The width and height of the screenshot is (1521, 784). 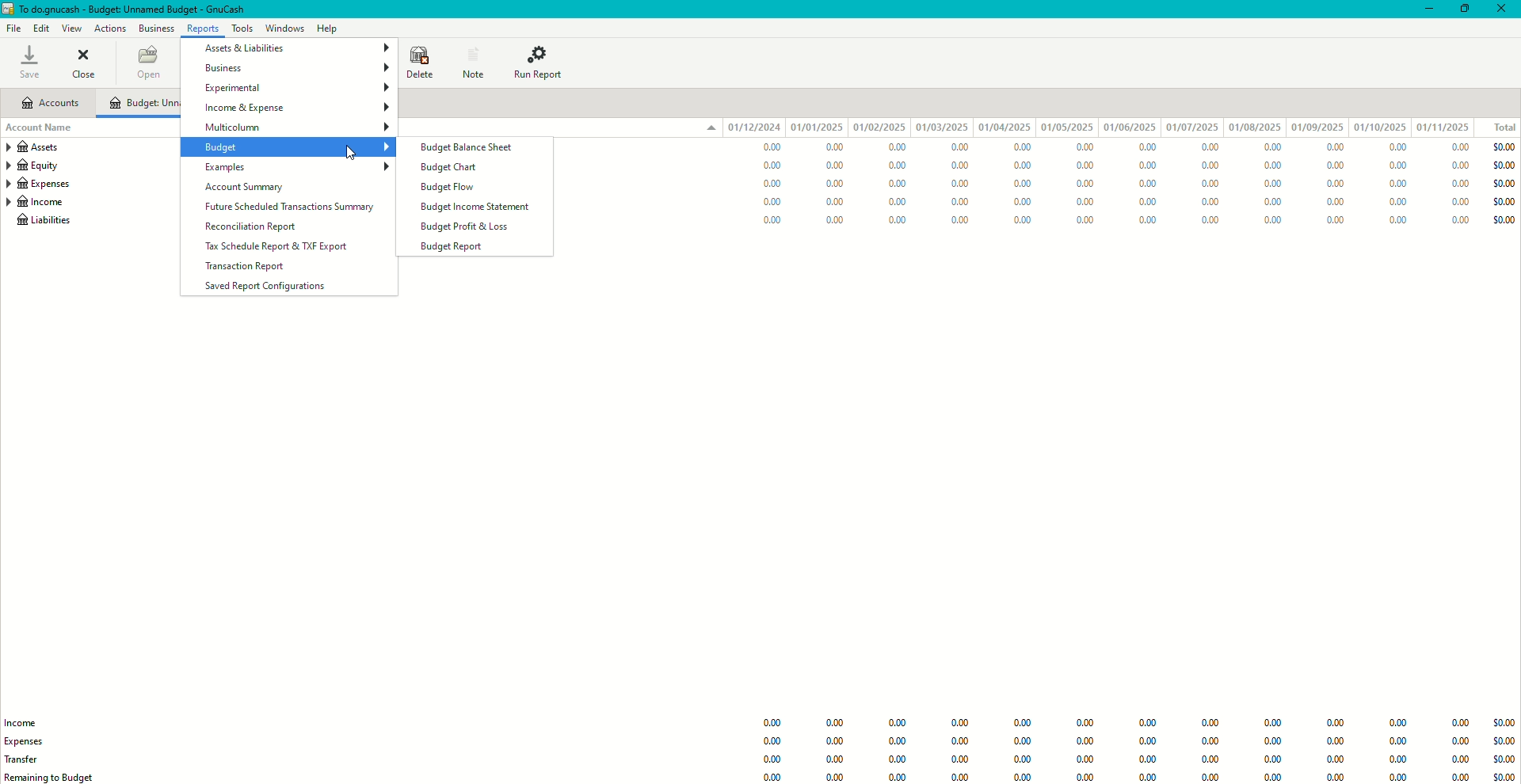 I want to click on 0.00, so click(x=1088, y=182).